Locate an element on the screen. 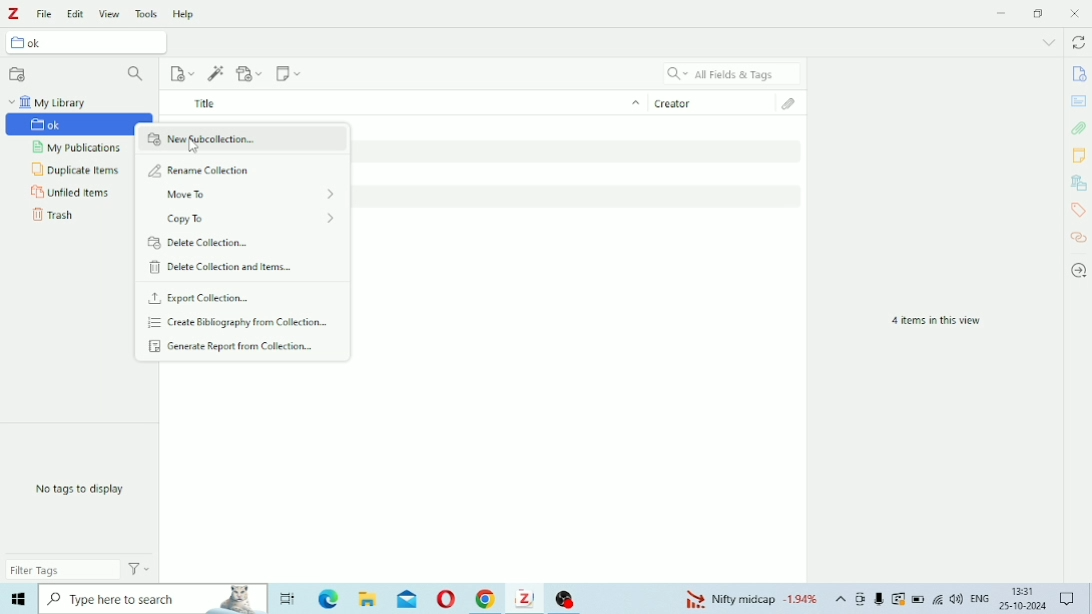 This screenshot has width=1092, height=614. Delete Collection is located at coordinates (201, 243).